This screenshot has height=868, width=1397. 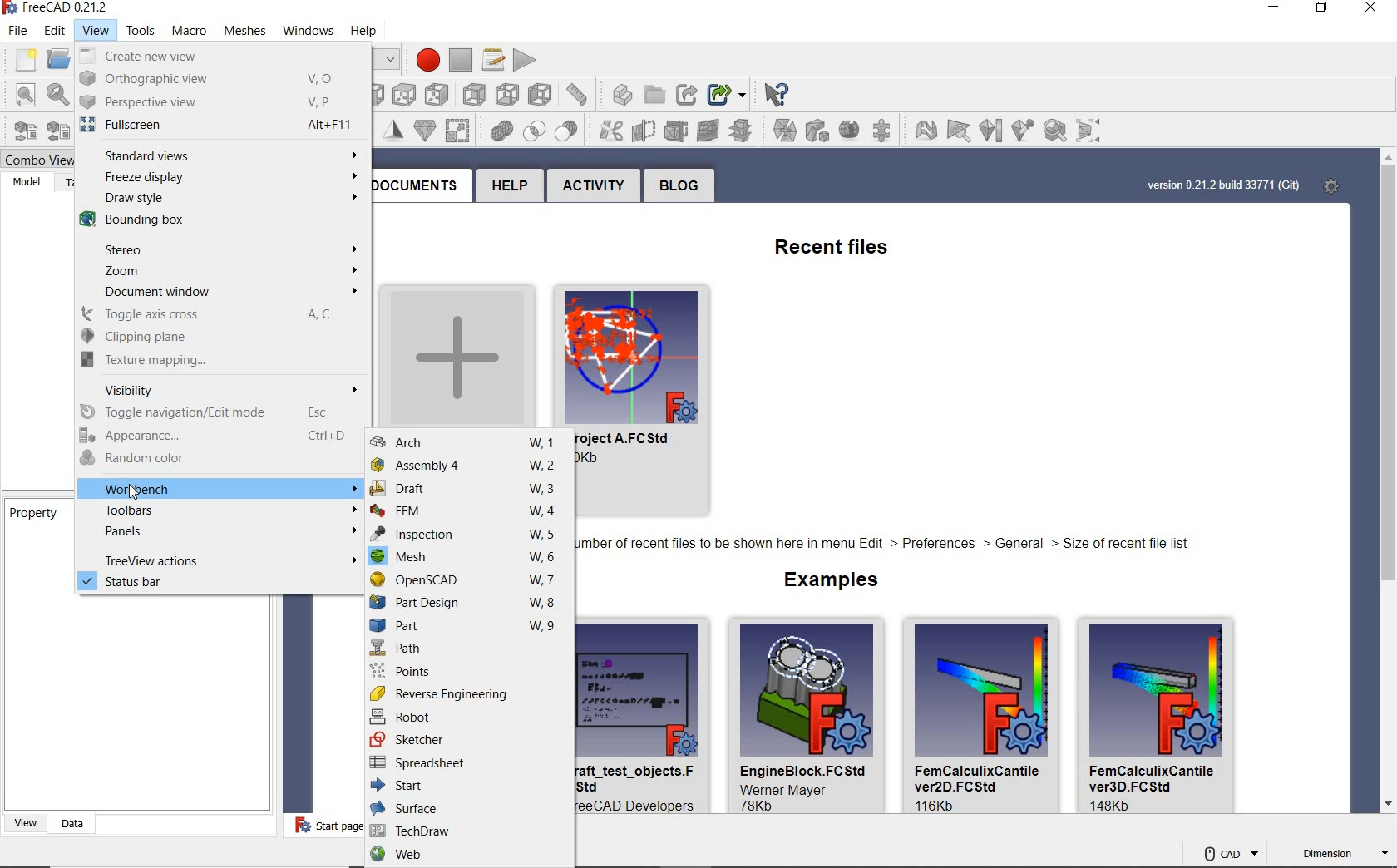 I want to click on blog, so click(x=676, y=186).